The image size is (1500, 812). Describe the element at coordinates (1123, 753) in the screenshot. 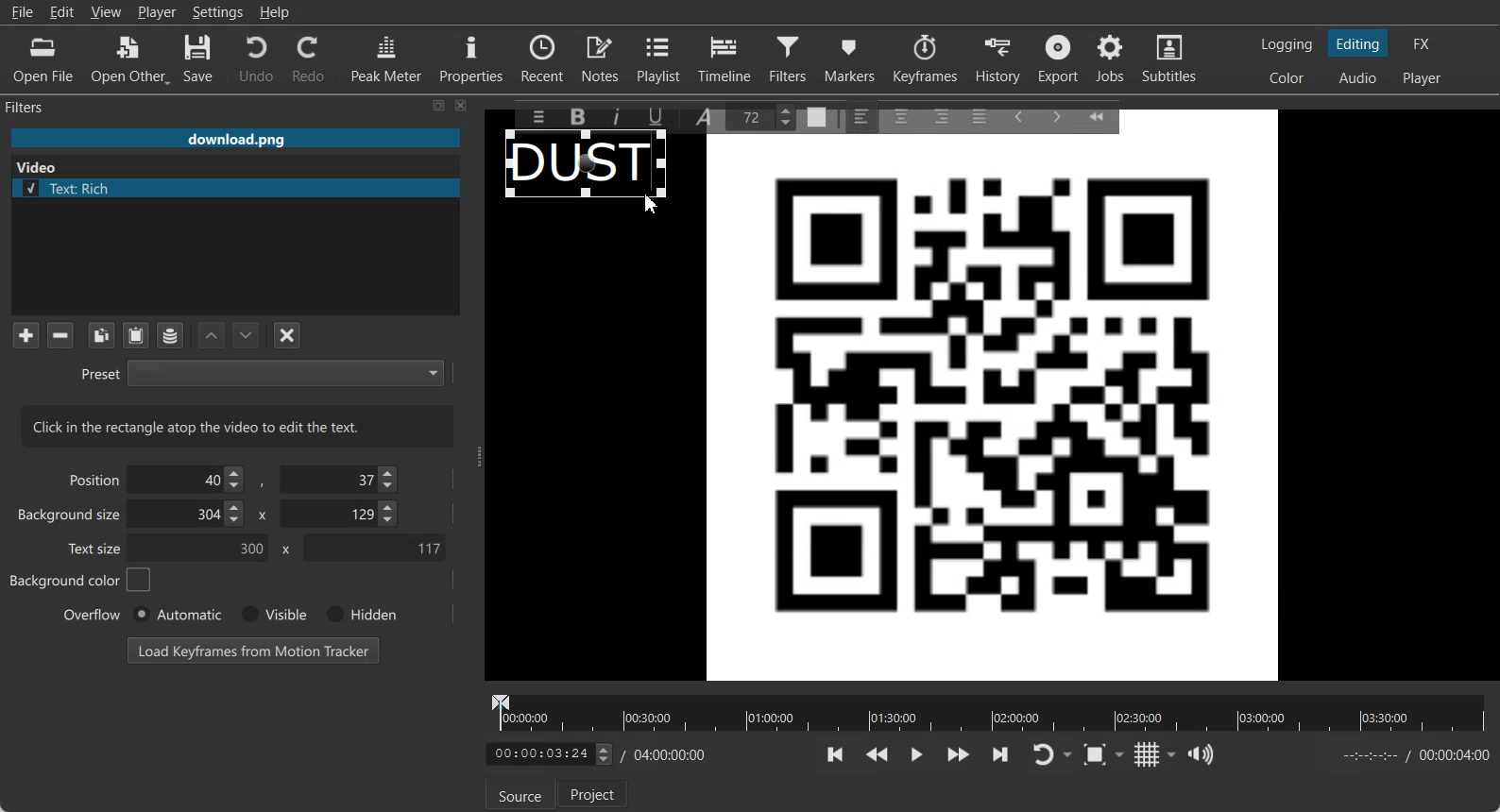

I see `Drop down box` at that location.